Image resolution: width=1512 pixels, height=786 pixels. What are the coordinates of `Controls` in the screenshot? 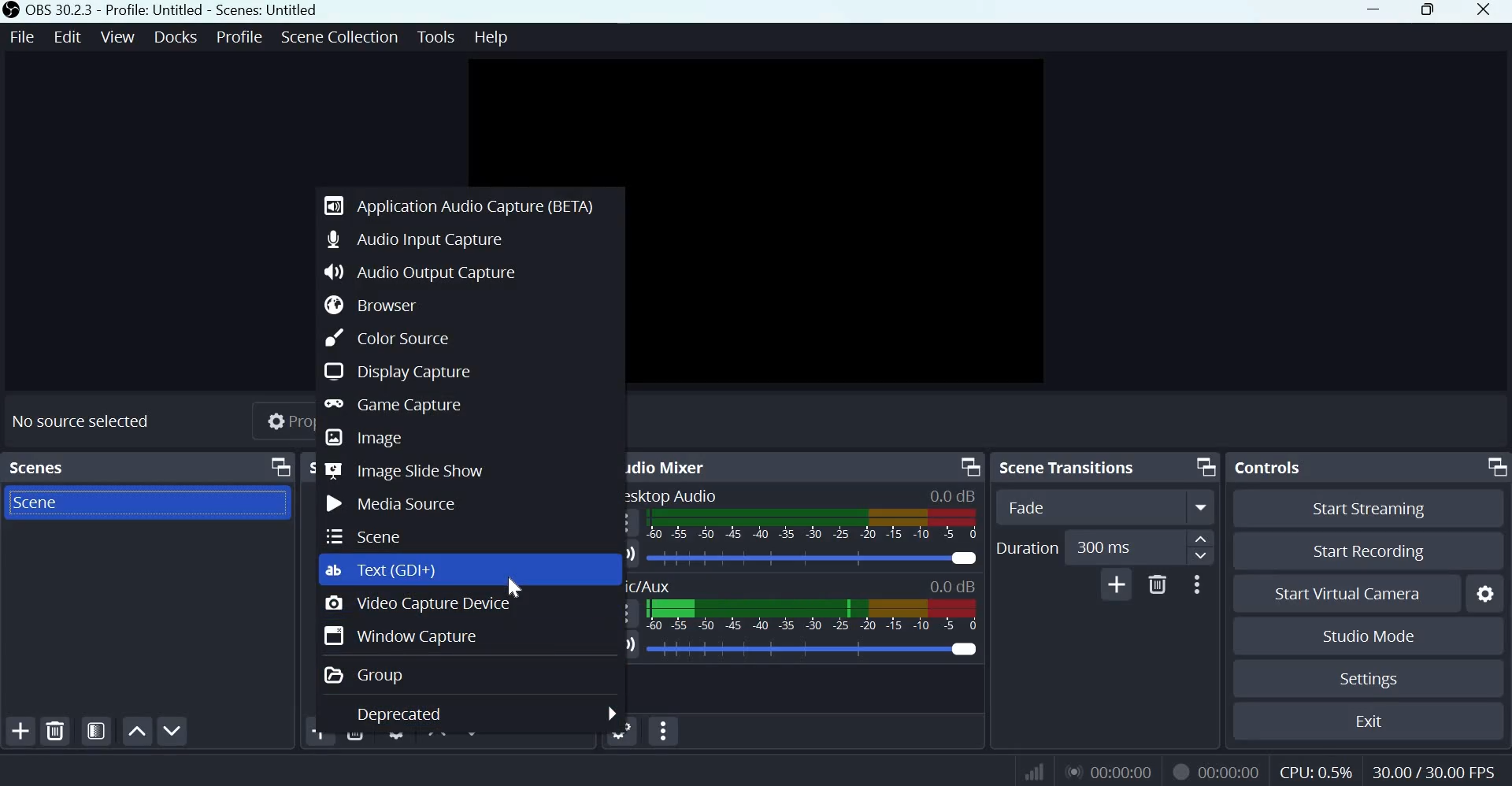 It's located at (1269, 468).